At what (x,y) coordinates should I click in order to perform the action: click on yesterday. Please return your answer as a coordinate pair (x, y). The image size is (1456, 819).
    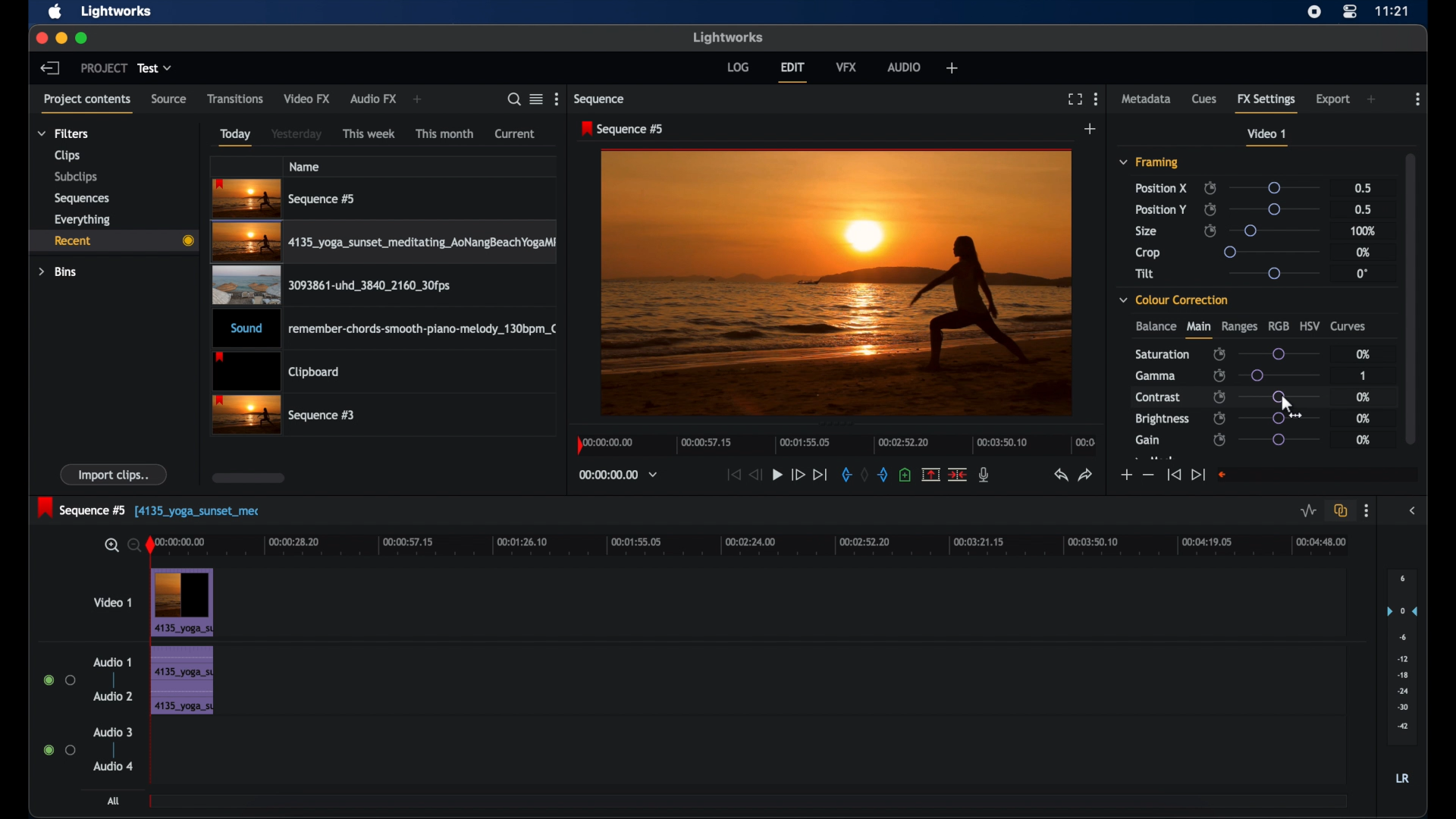
    Looking at the image, I should click on (297, 134).